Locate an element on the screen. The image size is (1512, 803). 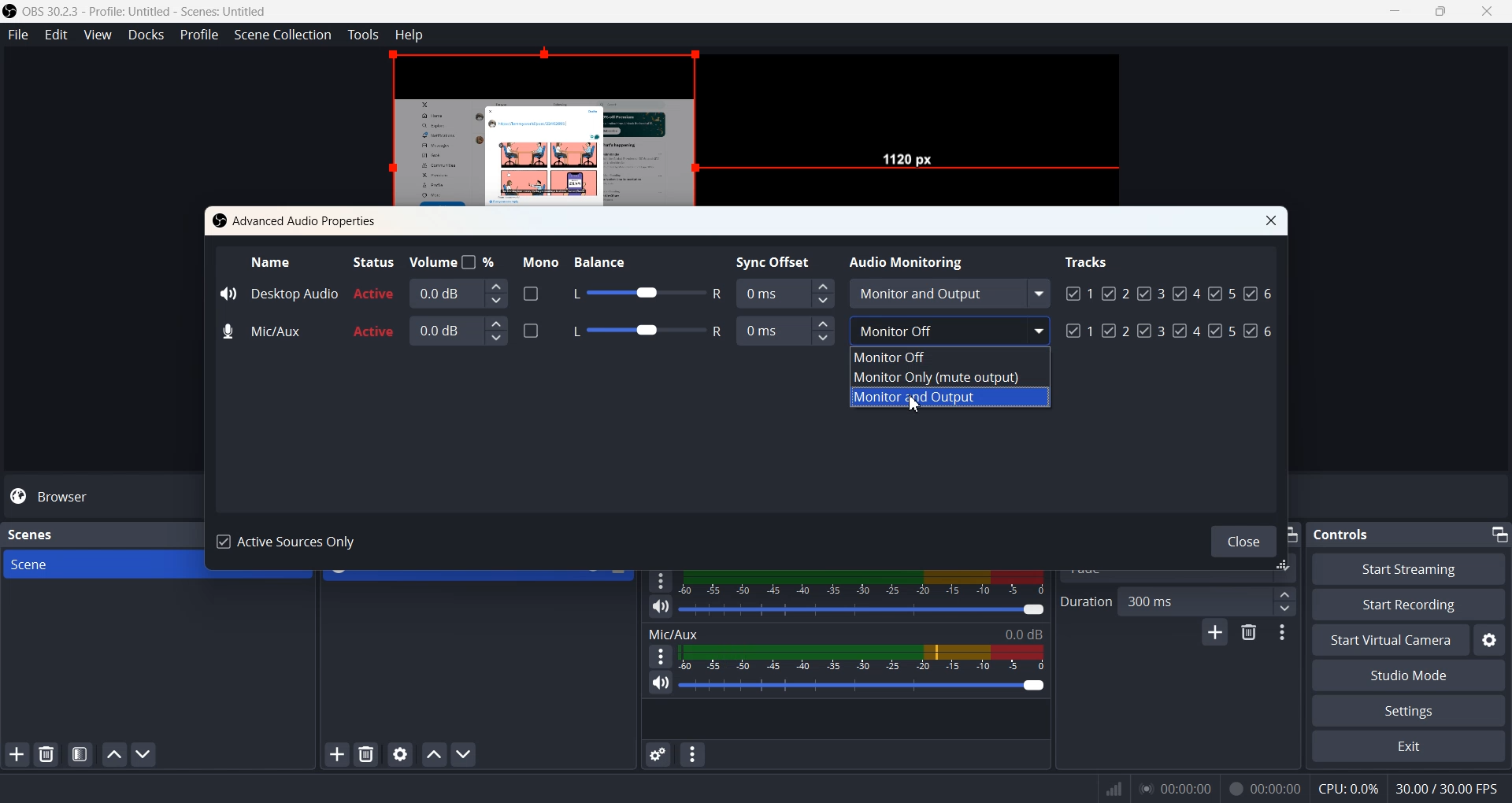
Signals is located at coordinates (1109, 789).